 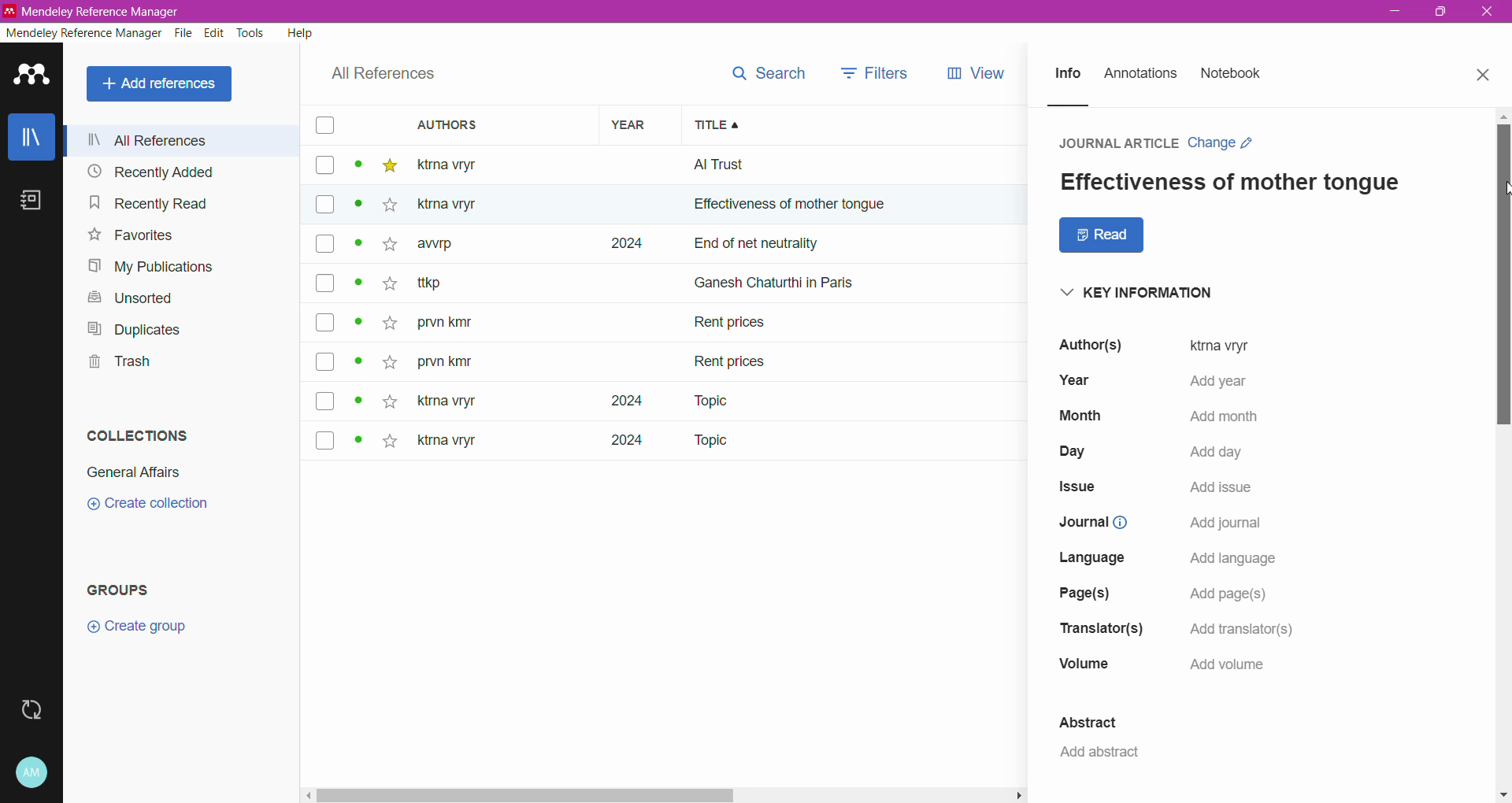 What do you see at coordinates (1080, 489) in the screenshot?
I see `Issue` at bounding box center [1080, 489].